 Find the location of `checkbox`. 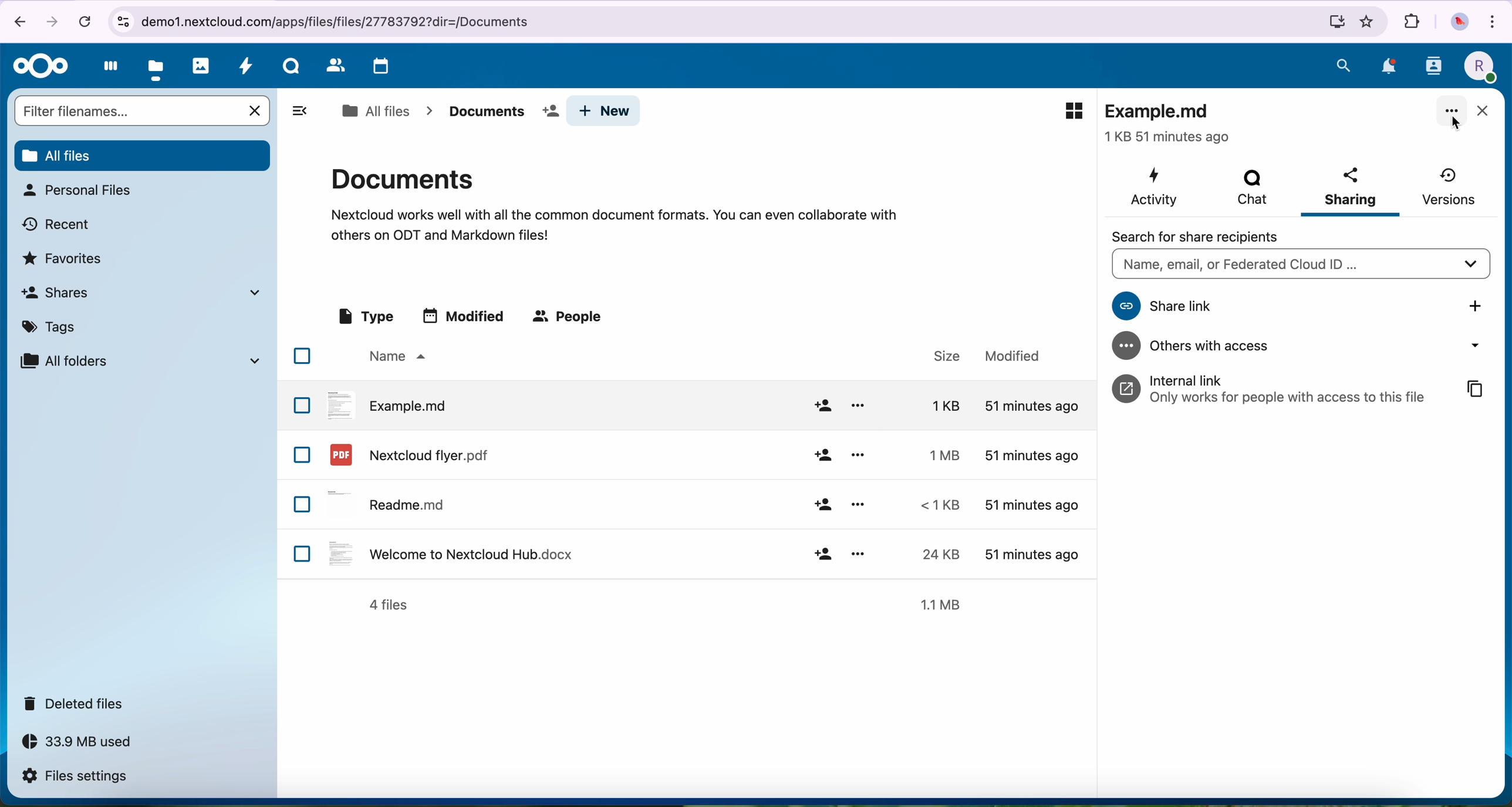

checkbox is located at coordinates (302, 404).